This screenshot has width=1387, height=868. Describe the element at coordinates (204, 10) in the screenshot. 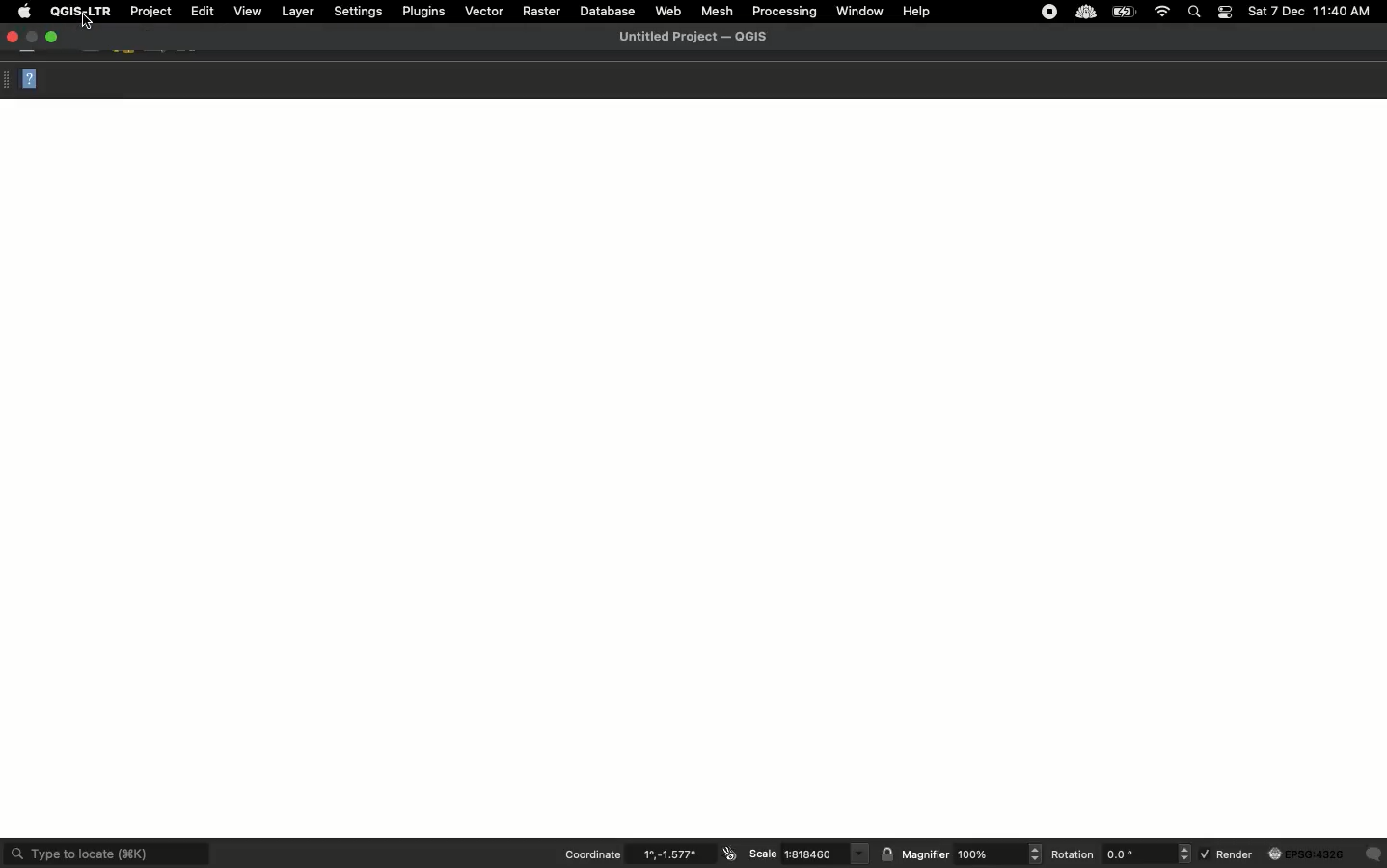

I see `Edit` at that location.